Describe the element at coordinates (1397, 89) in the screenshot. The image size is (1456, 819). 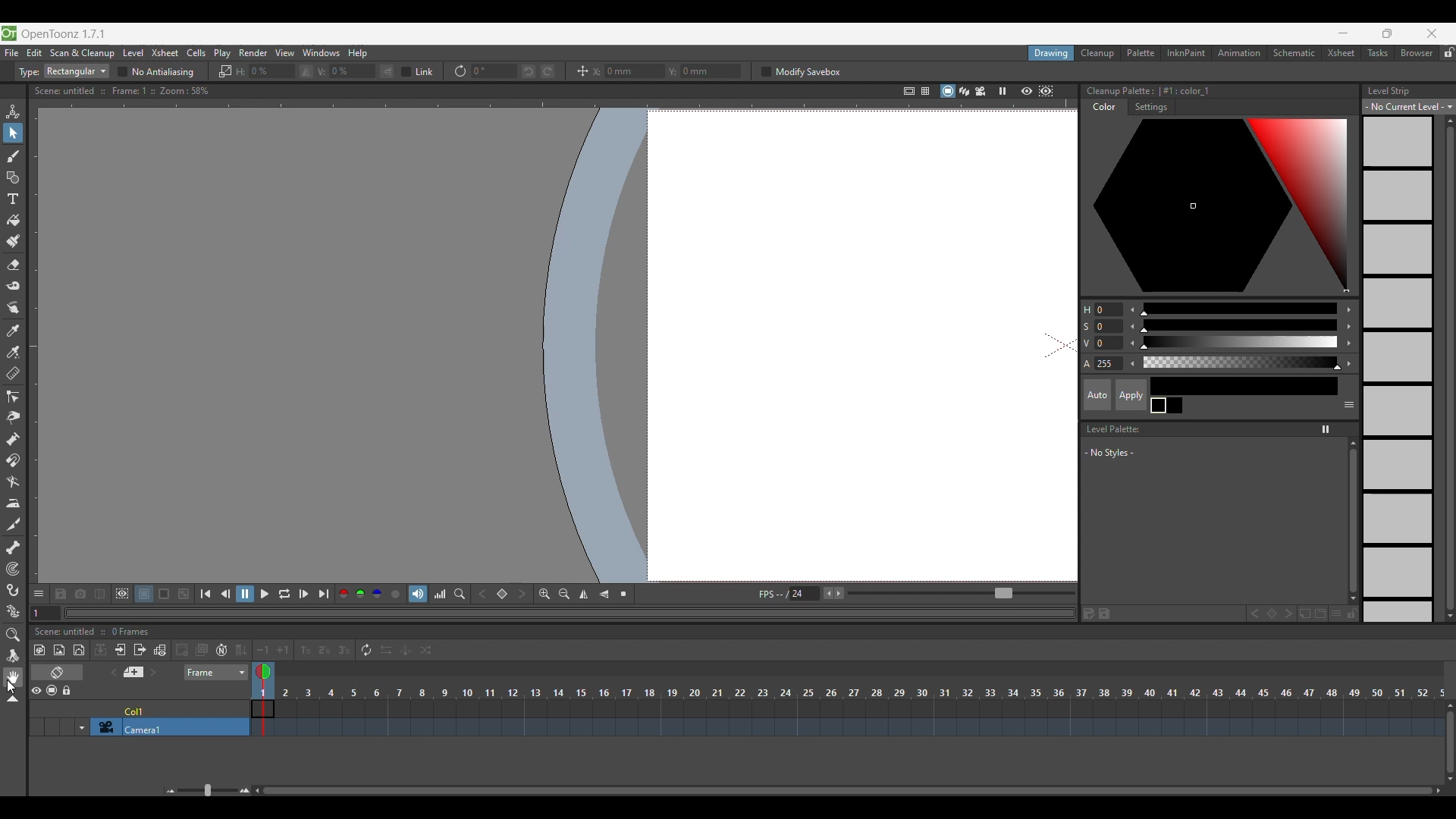
I see `Level Strip` at that location.